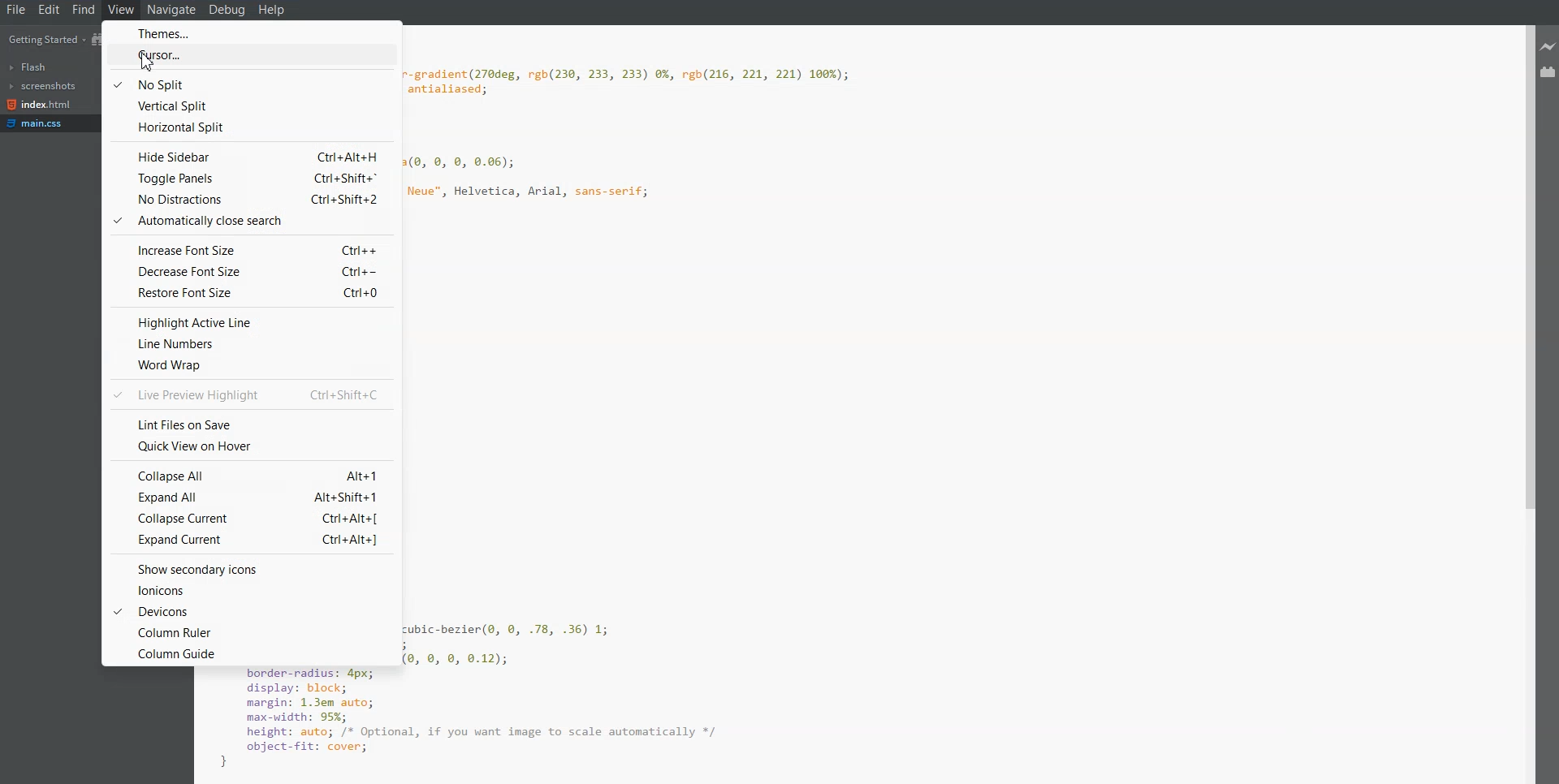 The width and height of the screenshot is (1559, 784). Describe the element at coordinates (252, 590) in the screenshot. I see `Ionicons` at that location.